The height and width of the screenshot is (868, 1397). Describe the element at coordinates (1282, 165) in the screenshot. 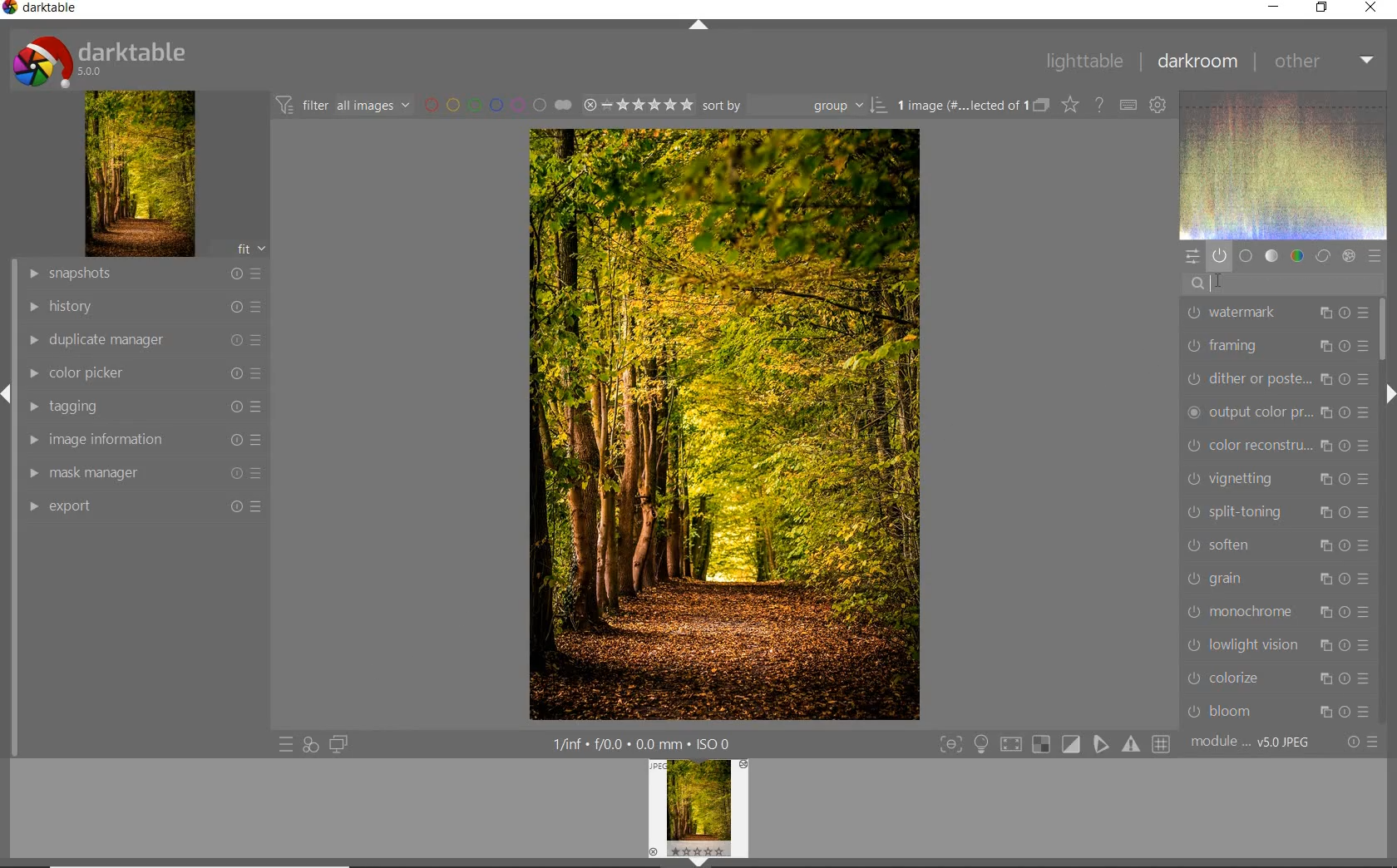

I see `wave form` at that location.